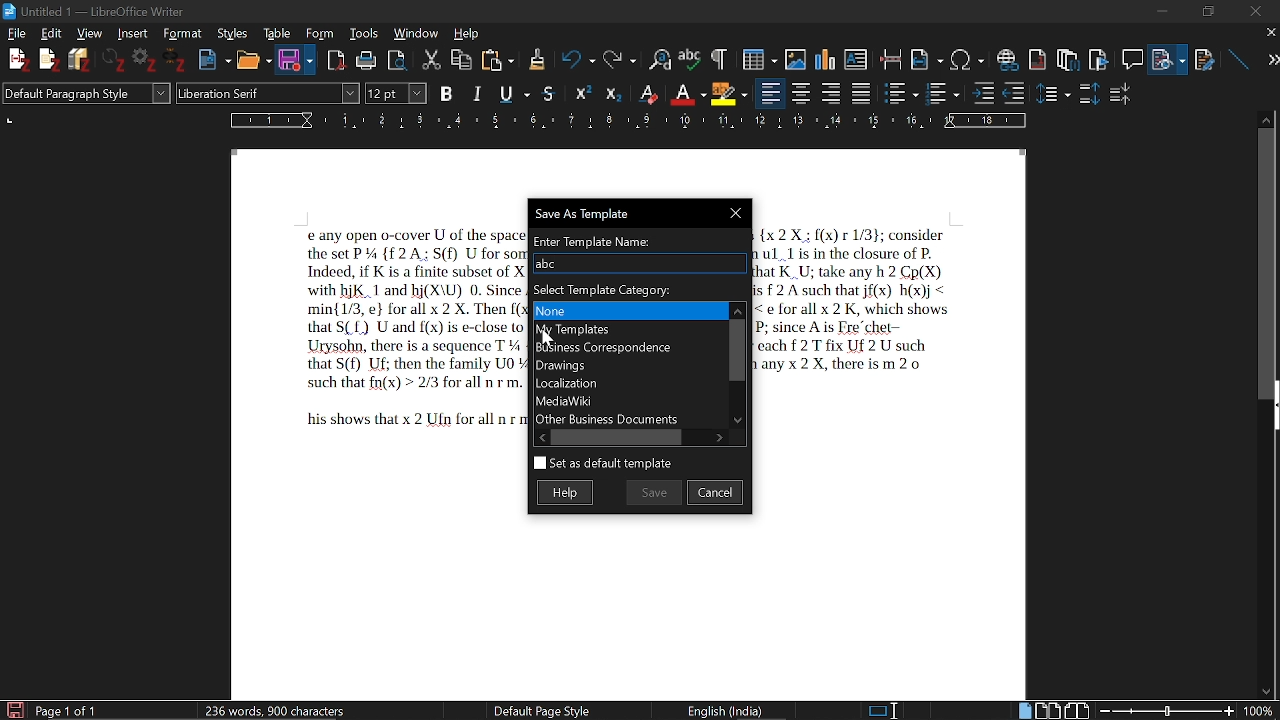 This screenshot has height=720, width=1280. I want to click on Import as pdf, so click(337, 57).